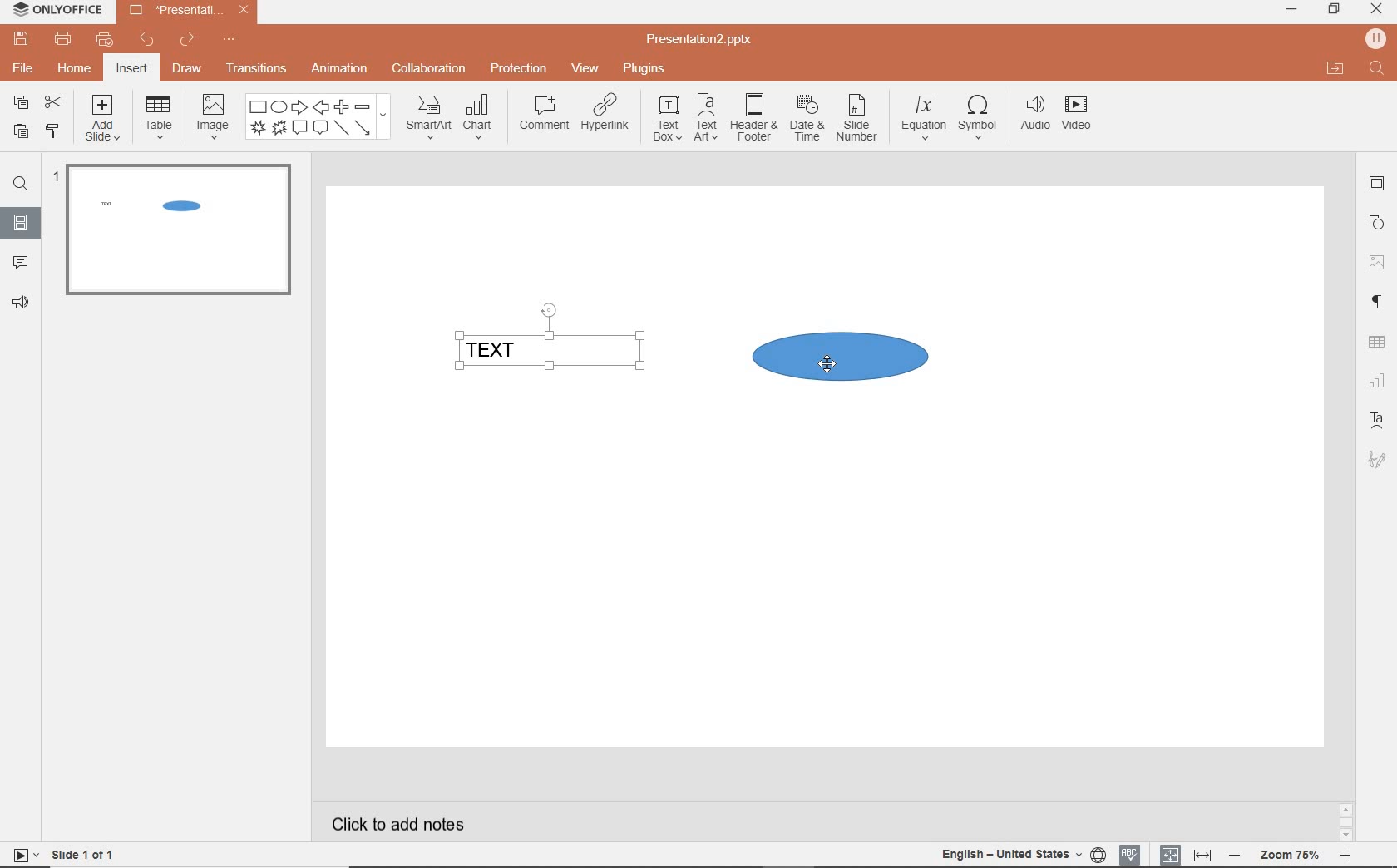 The image size is (1397, 868). Describe the element at coordinates (103, 121) in the screenshot. I see `add slide` at that location.